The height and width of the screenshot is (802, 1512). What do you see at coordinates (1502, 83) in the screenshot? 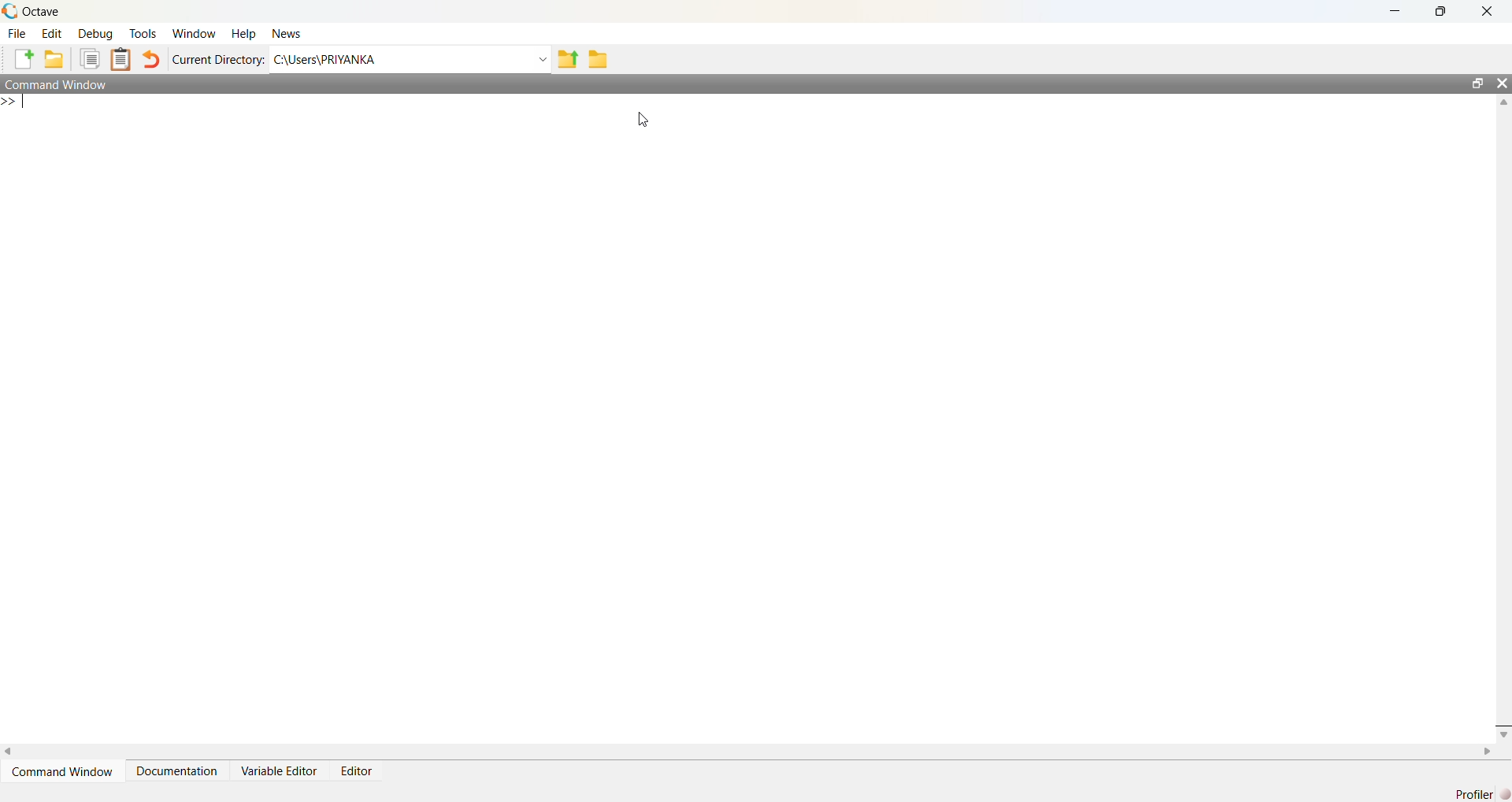
I see `close` at bounding box center [1502, 83].